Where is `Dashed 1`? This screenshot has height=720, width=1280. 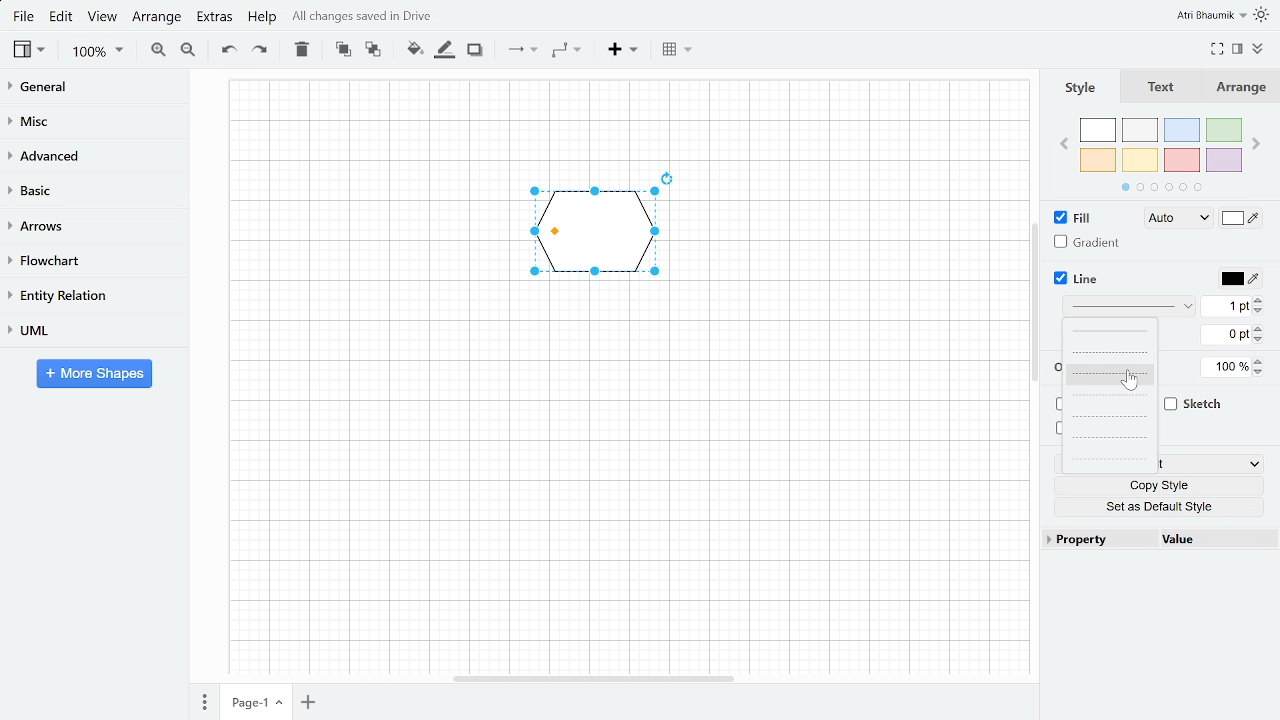
Dashed 1 is located at coordinates (1112, 352).